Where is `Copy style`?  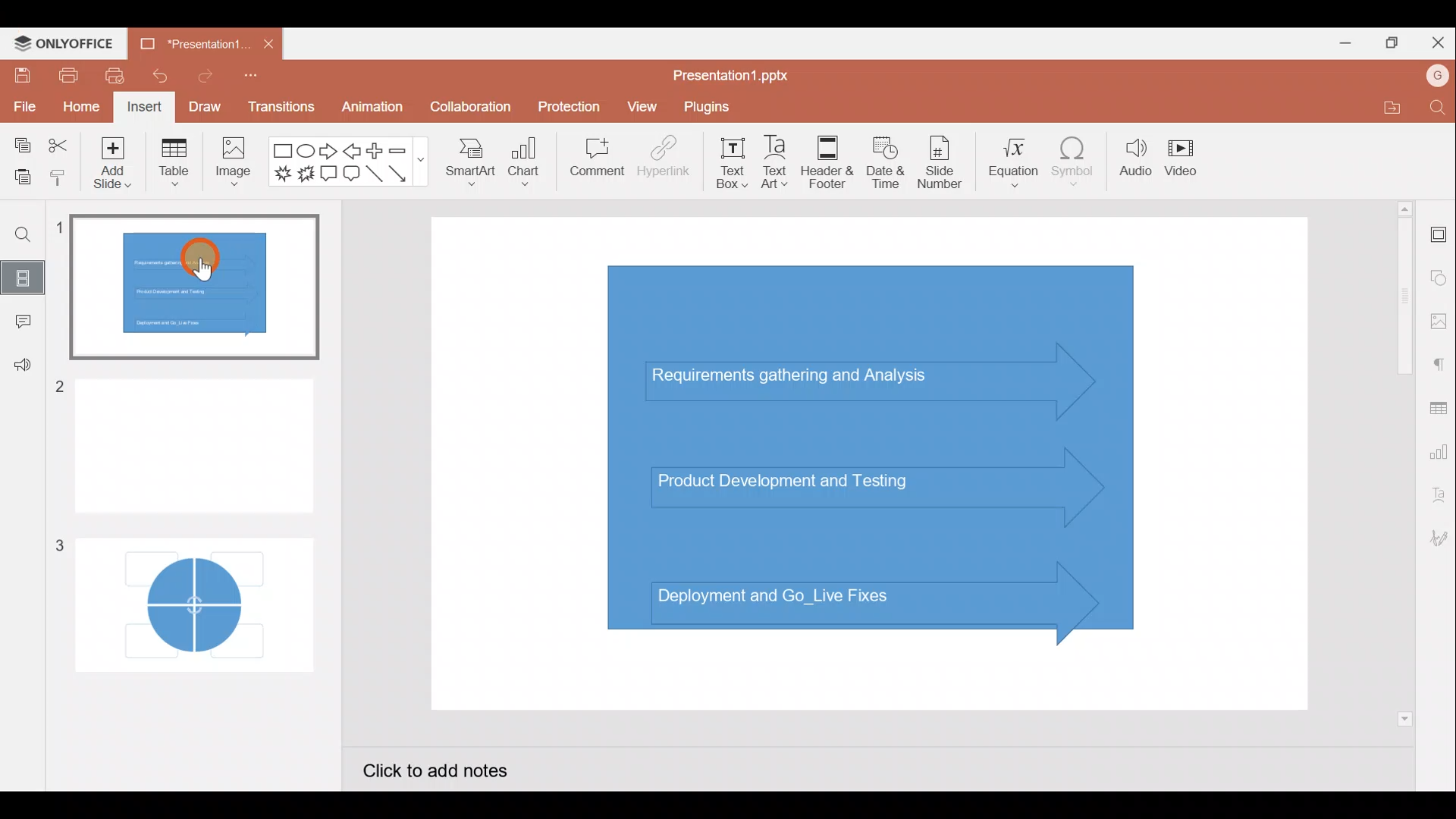 Copy style is located at coordinates (59, 177).